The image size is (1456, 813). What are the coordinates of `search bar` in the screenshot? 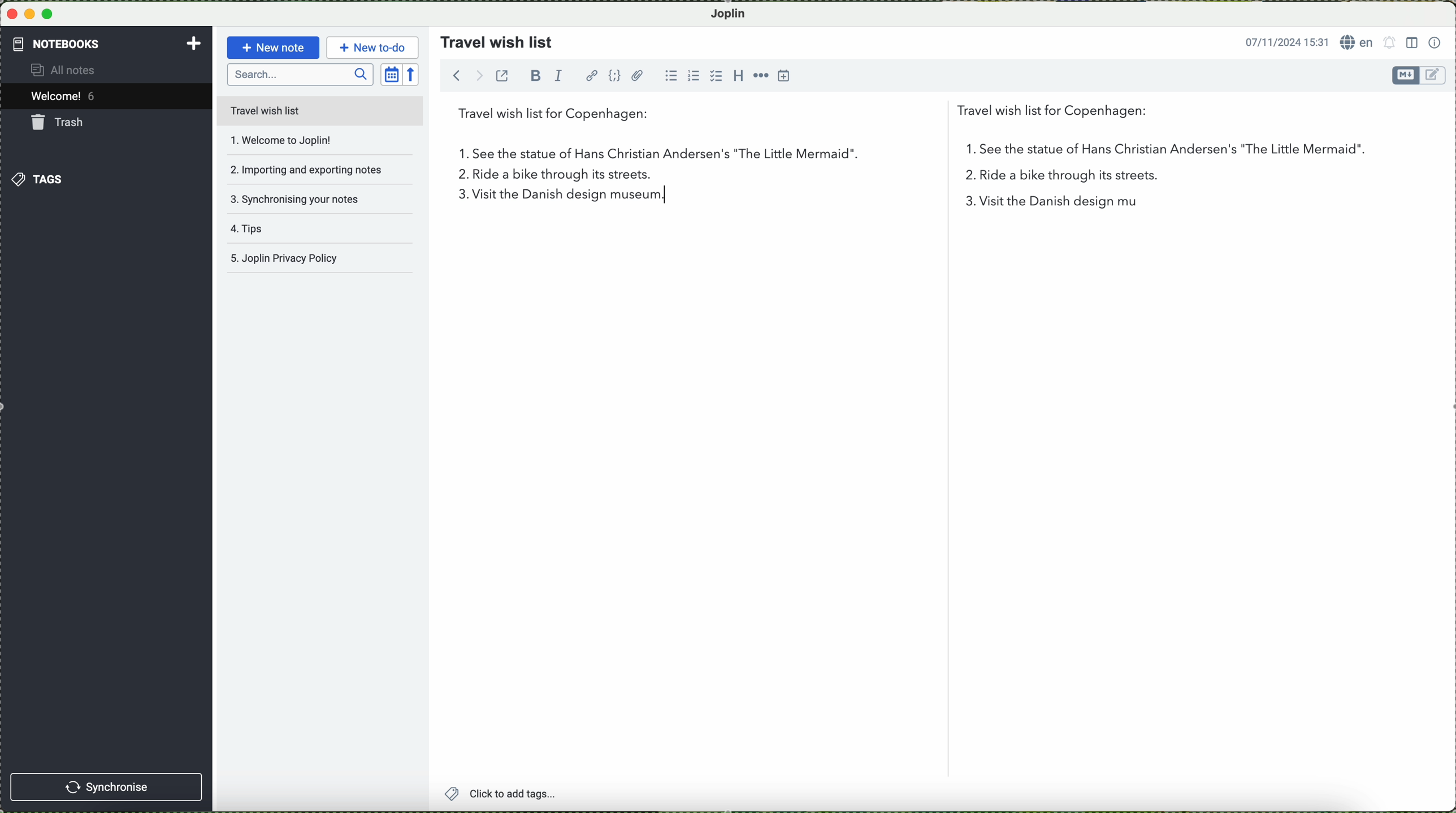 It's located at (300, 75).